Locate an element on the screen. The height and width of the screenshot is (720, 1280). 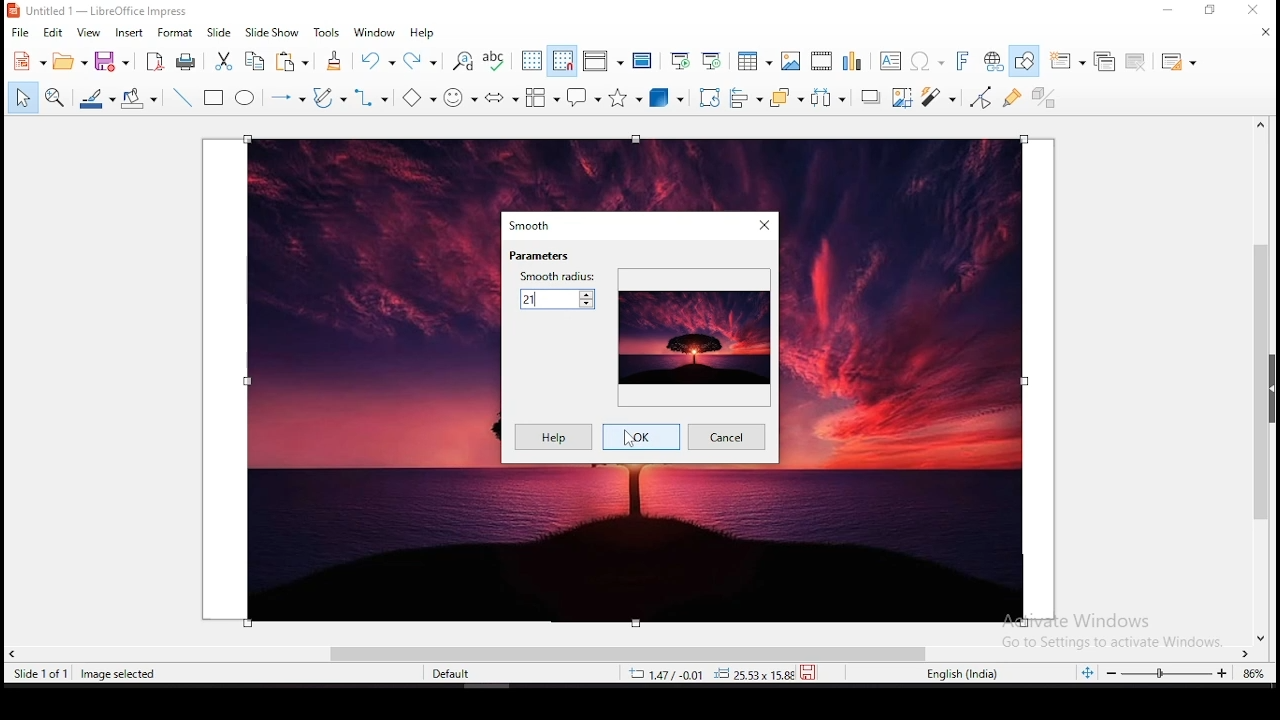
preview is located at coordinates (693, 335).